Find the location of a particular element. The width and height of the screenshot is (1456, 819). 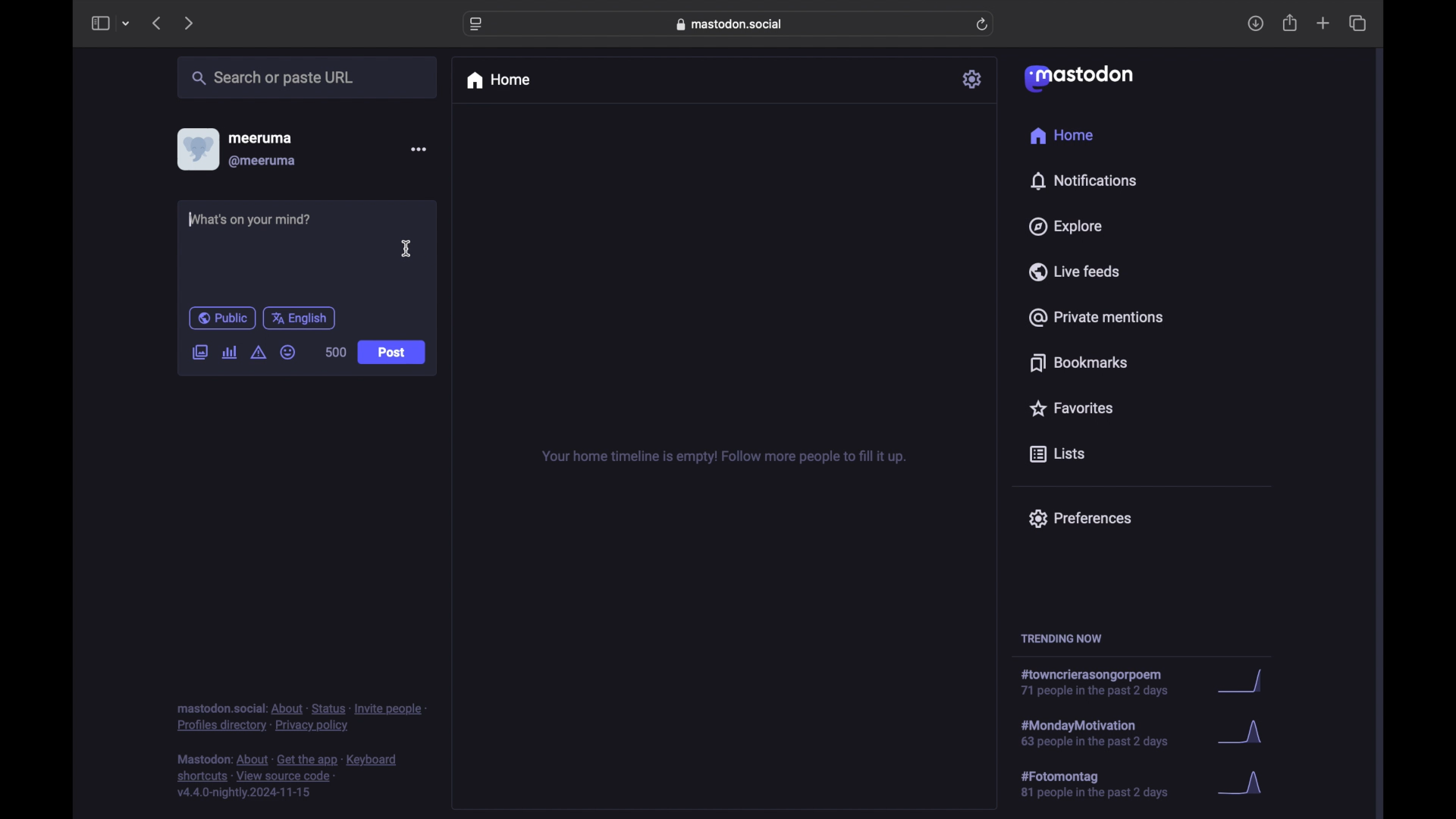

add poll is located at coordinates (231, 353).